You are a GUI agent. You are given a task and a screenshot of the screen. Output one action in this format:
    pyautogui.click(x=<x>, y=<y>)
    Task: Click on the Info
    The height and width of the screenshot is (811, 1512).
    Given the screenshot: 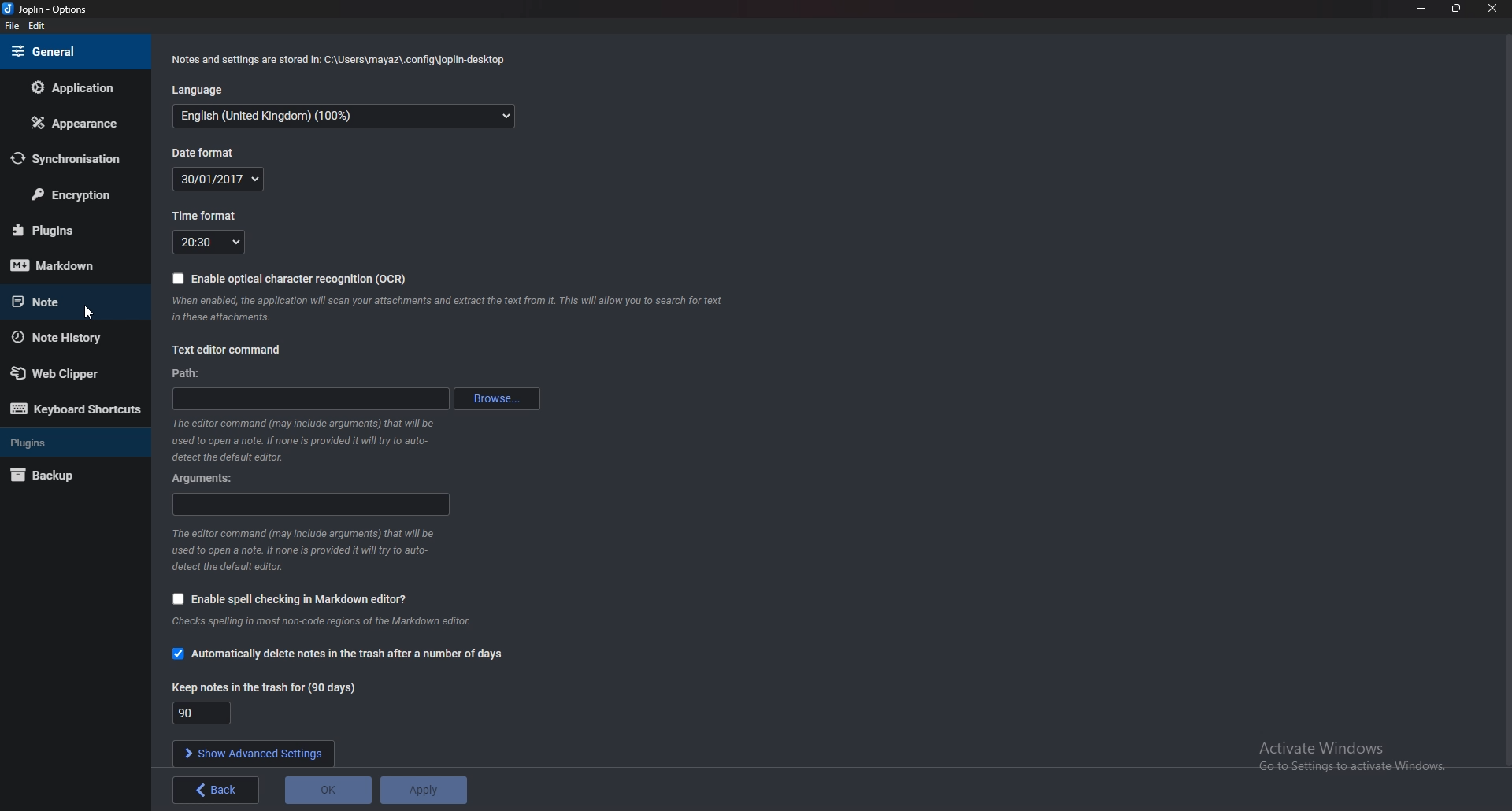 What is the action you would take?
    pyautogui.click(x=450, y=309)
    